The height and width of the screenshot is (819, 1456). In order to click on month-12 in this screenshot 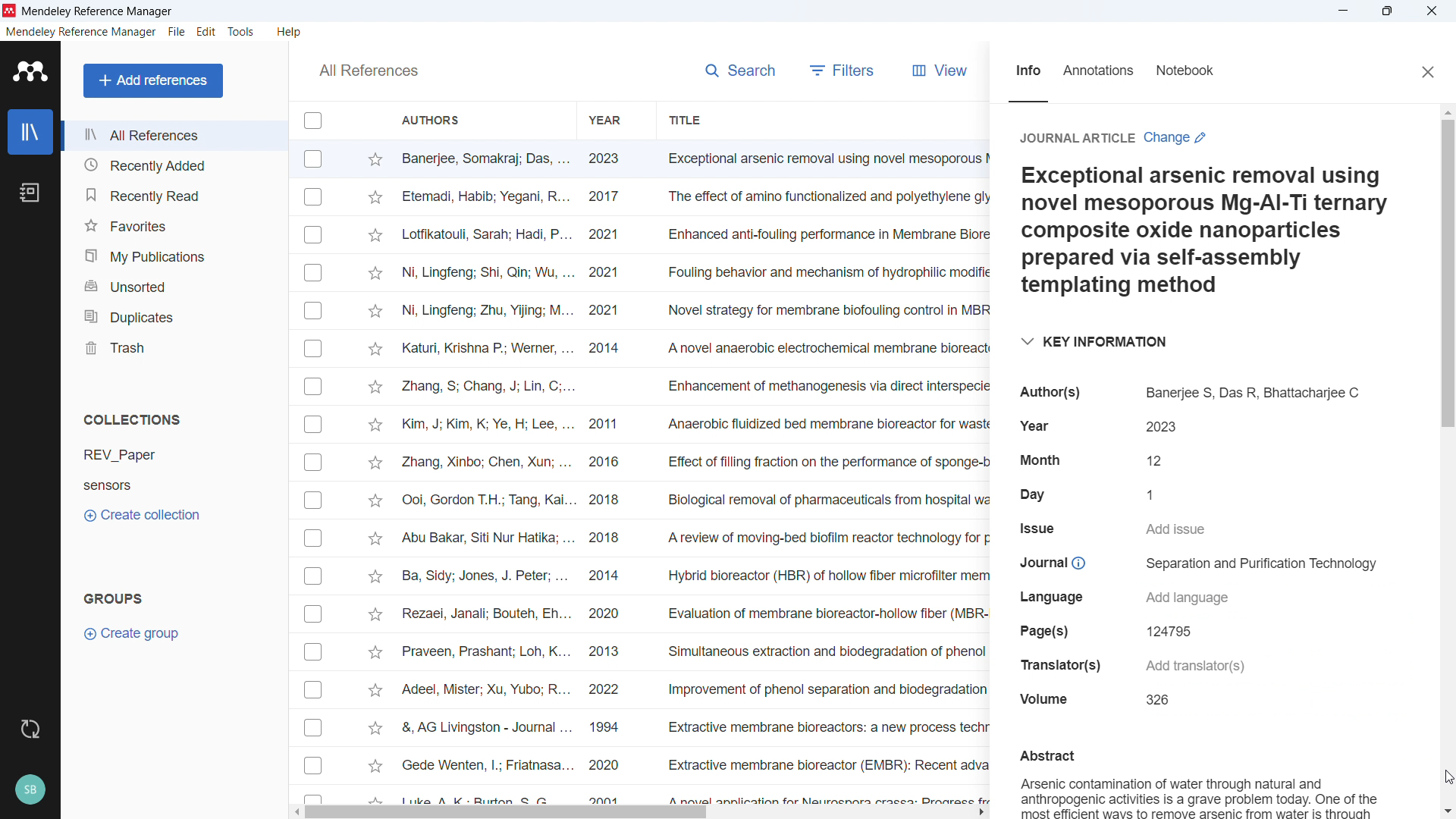, I will do `click(1154, 458)`.